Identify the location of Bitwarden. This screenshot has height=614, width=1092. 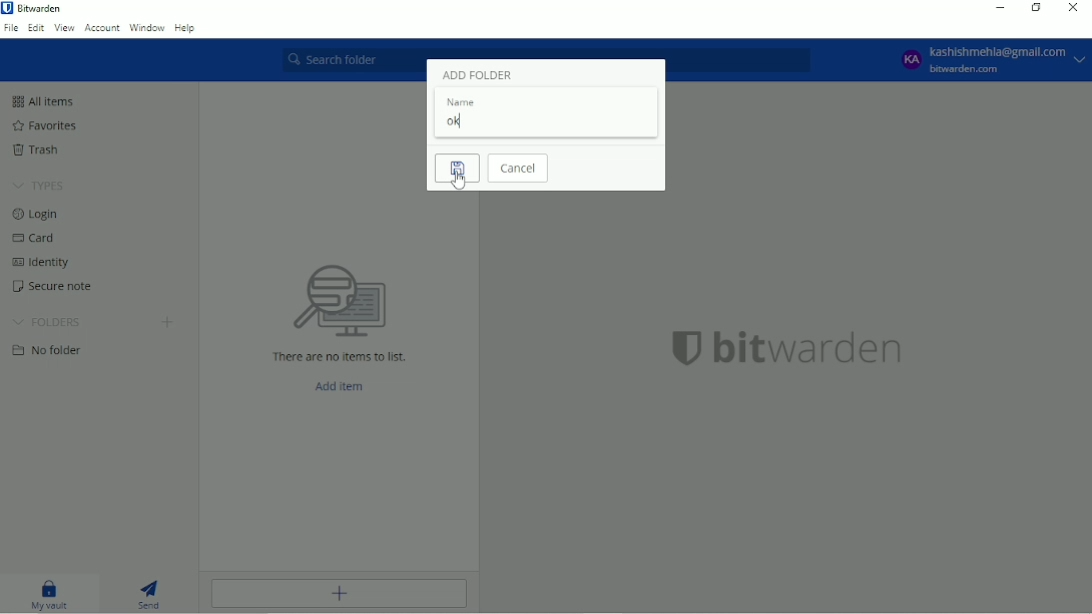
(40, 9).